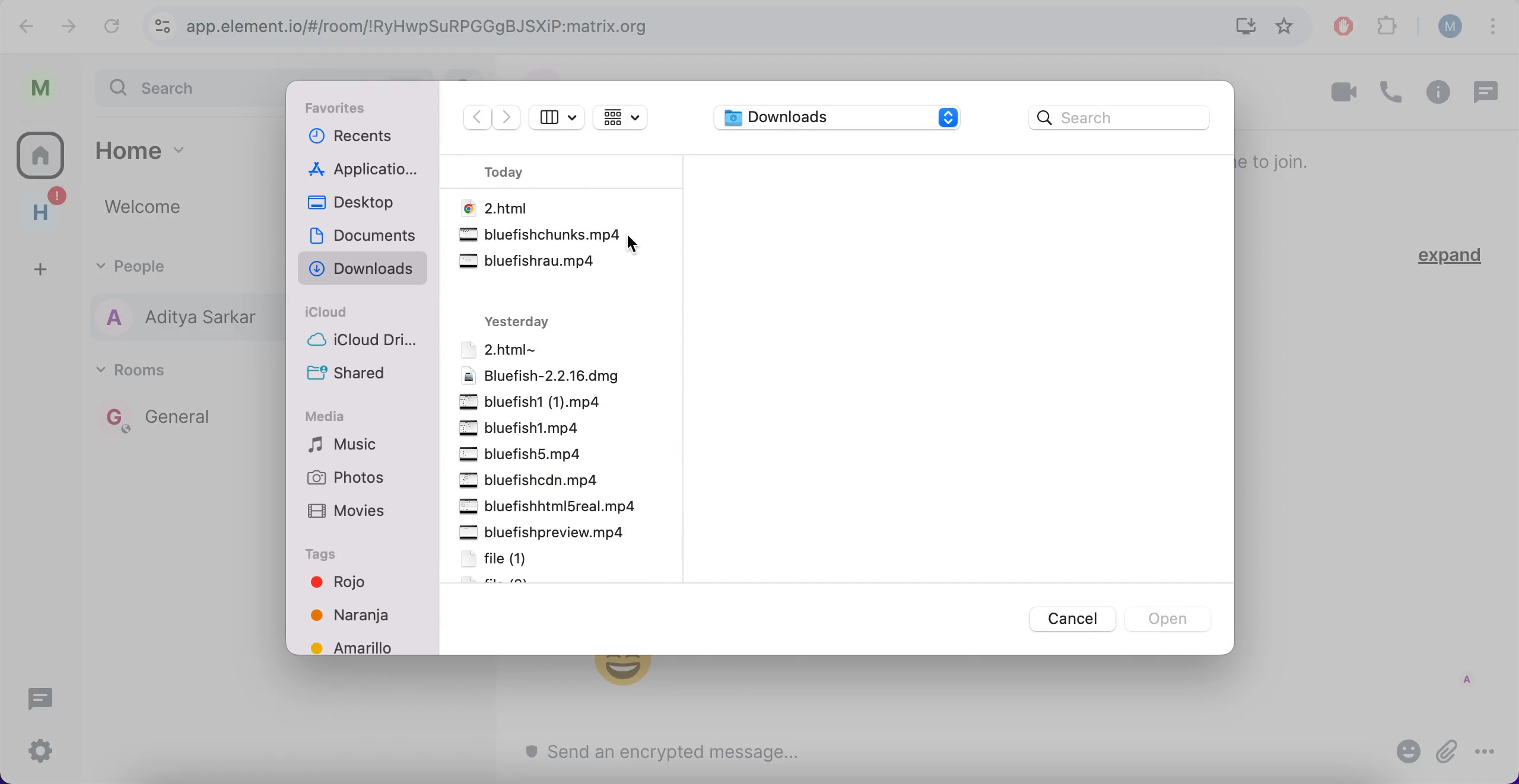 The image size is (1519, 784). Describe the element at coordinates (538, 234) in the screenshot. I see `bluefishchunks.mp4` at that location.